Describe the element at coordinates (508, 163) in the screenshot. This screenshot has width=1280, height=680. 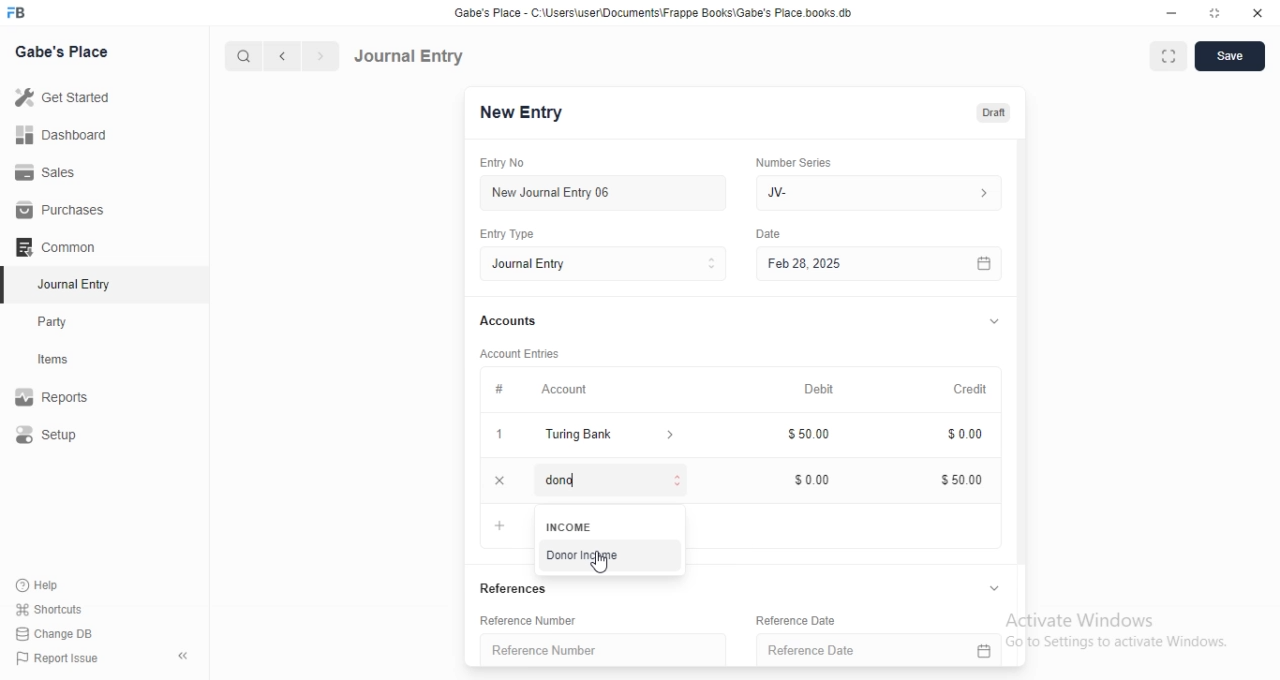
I see `Entry No.` at that location.